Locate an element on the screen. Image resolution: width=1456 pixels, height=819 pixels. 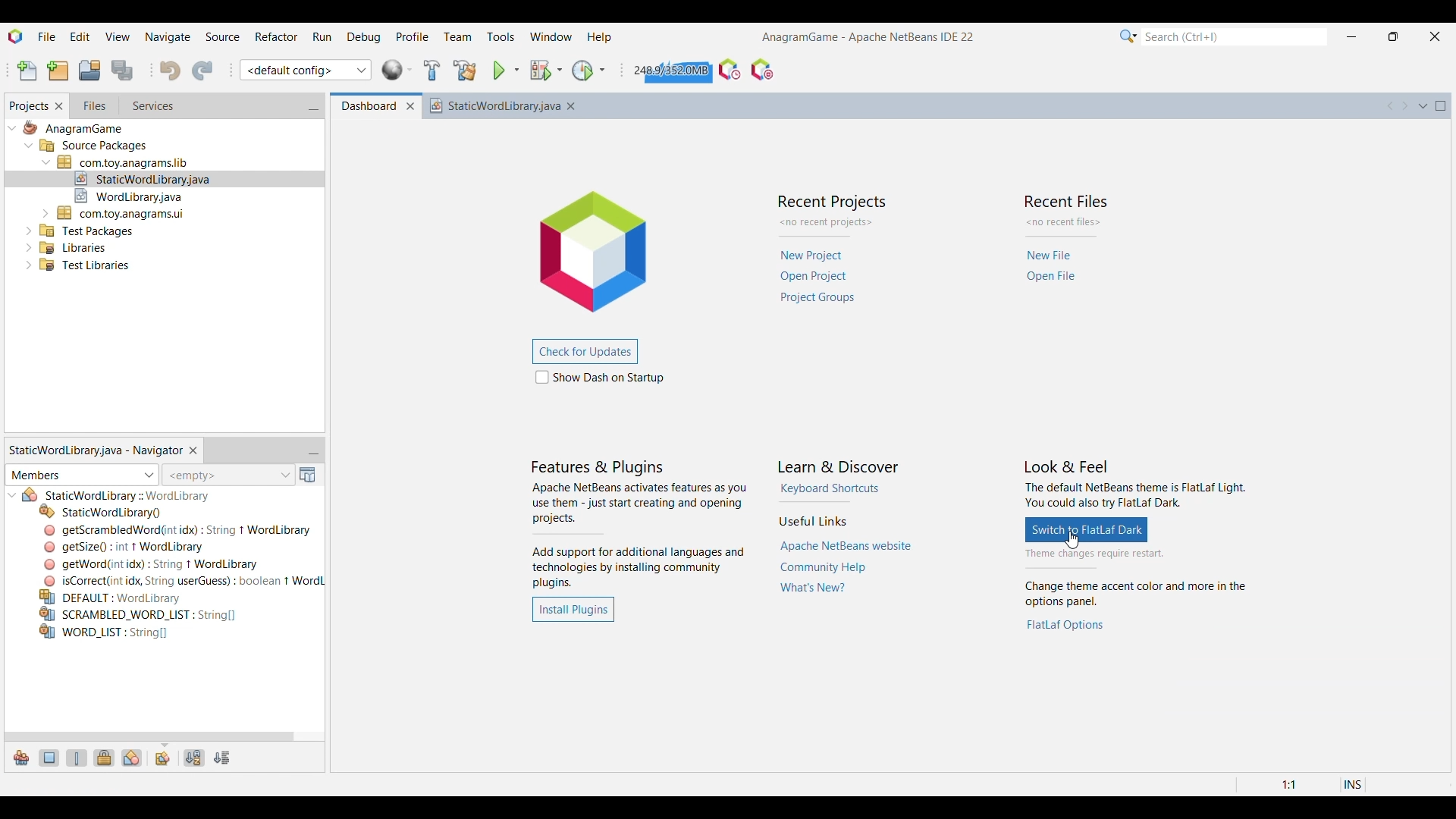
Click to go to current Profile project selection is located at coordinates (582, 71).